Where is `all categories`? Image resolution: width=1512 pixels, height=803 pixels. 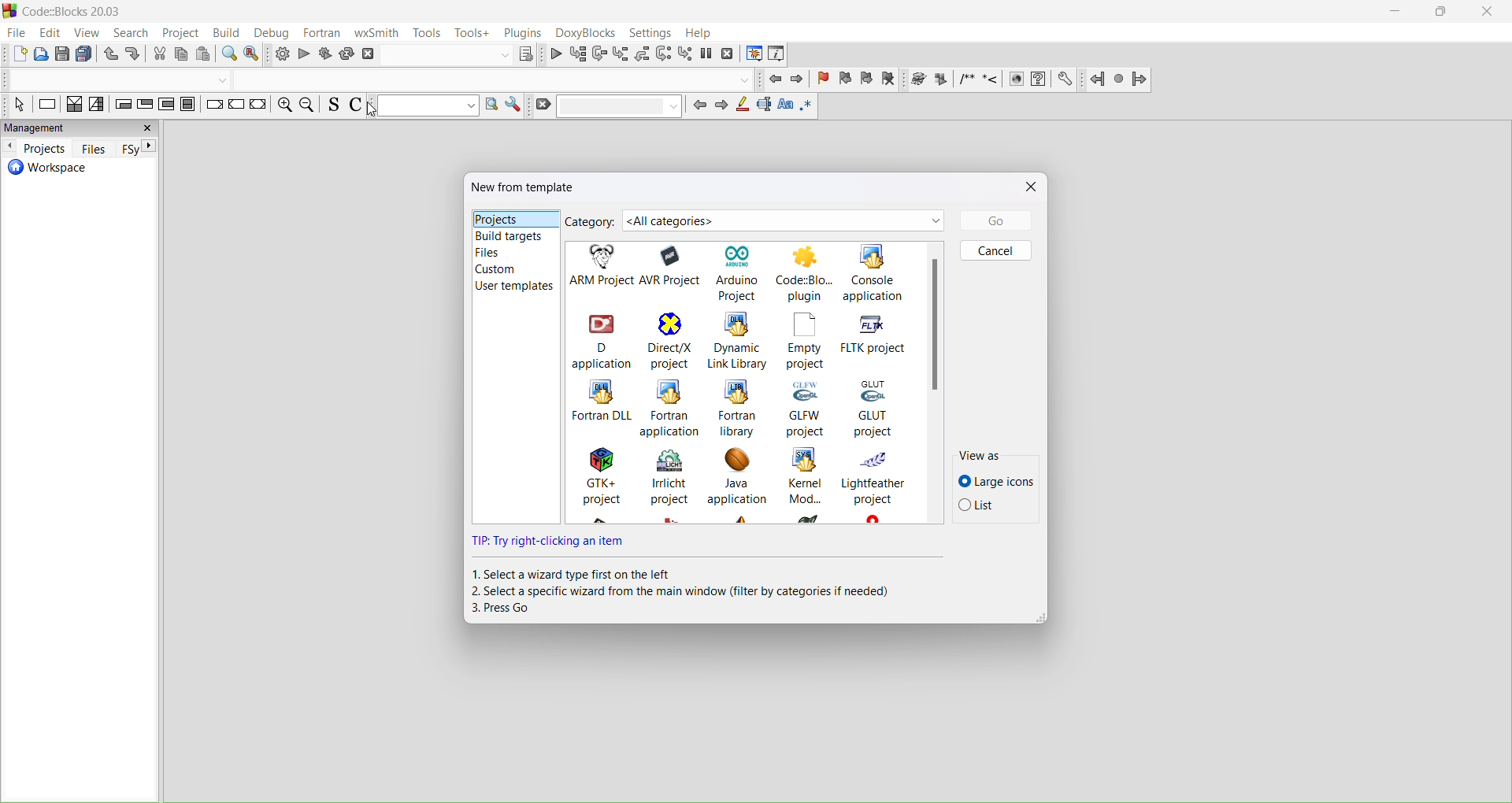
all categories is located at coordinates (784, 220).